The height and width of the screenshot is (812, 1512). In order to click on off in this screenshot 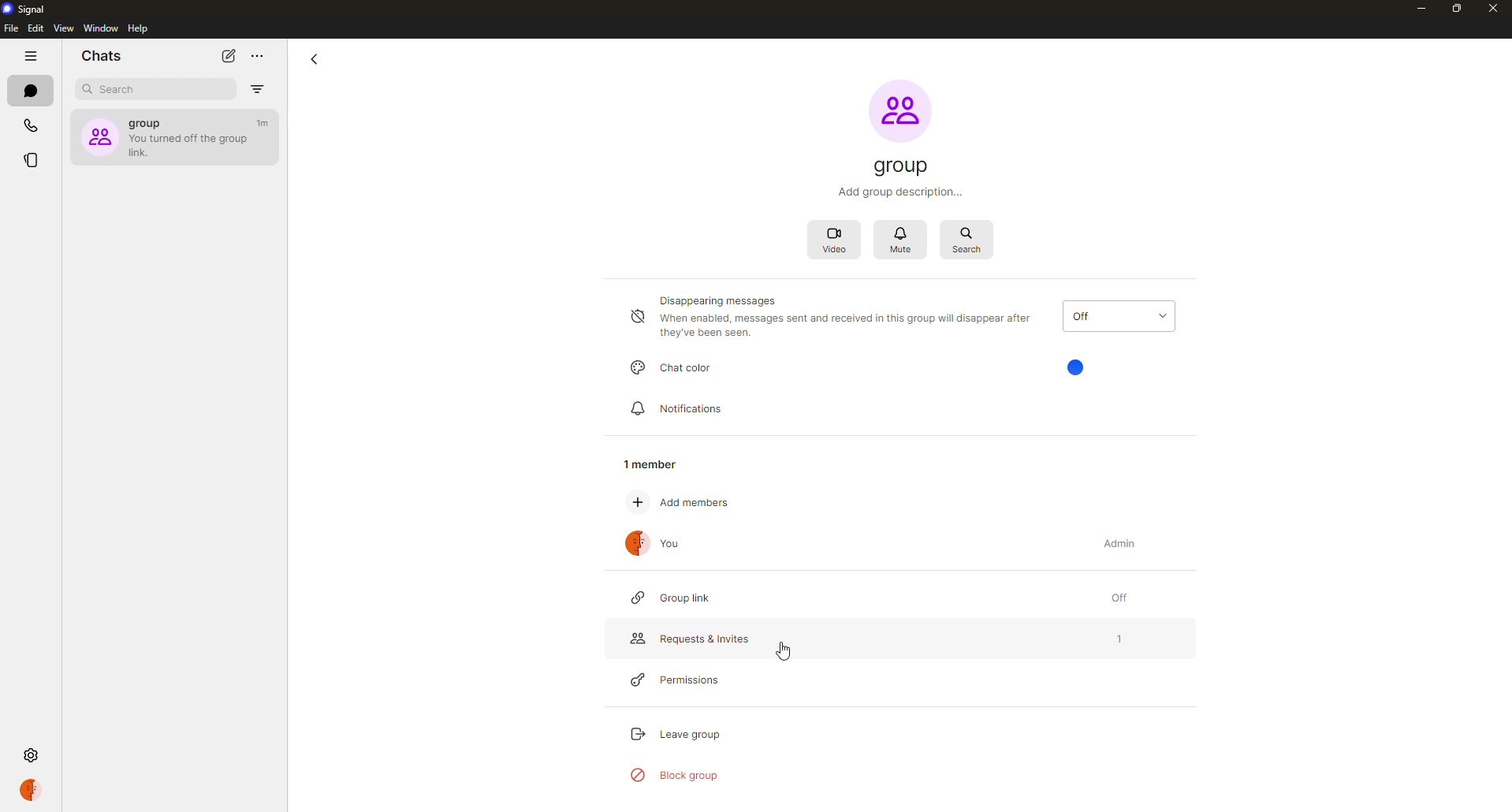, I will do `click(1118, 315)`.